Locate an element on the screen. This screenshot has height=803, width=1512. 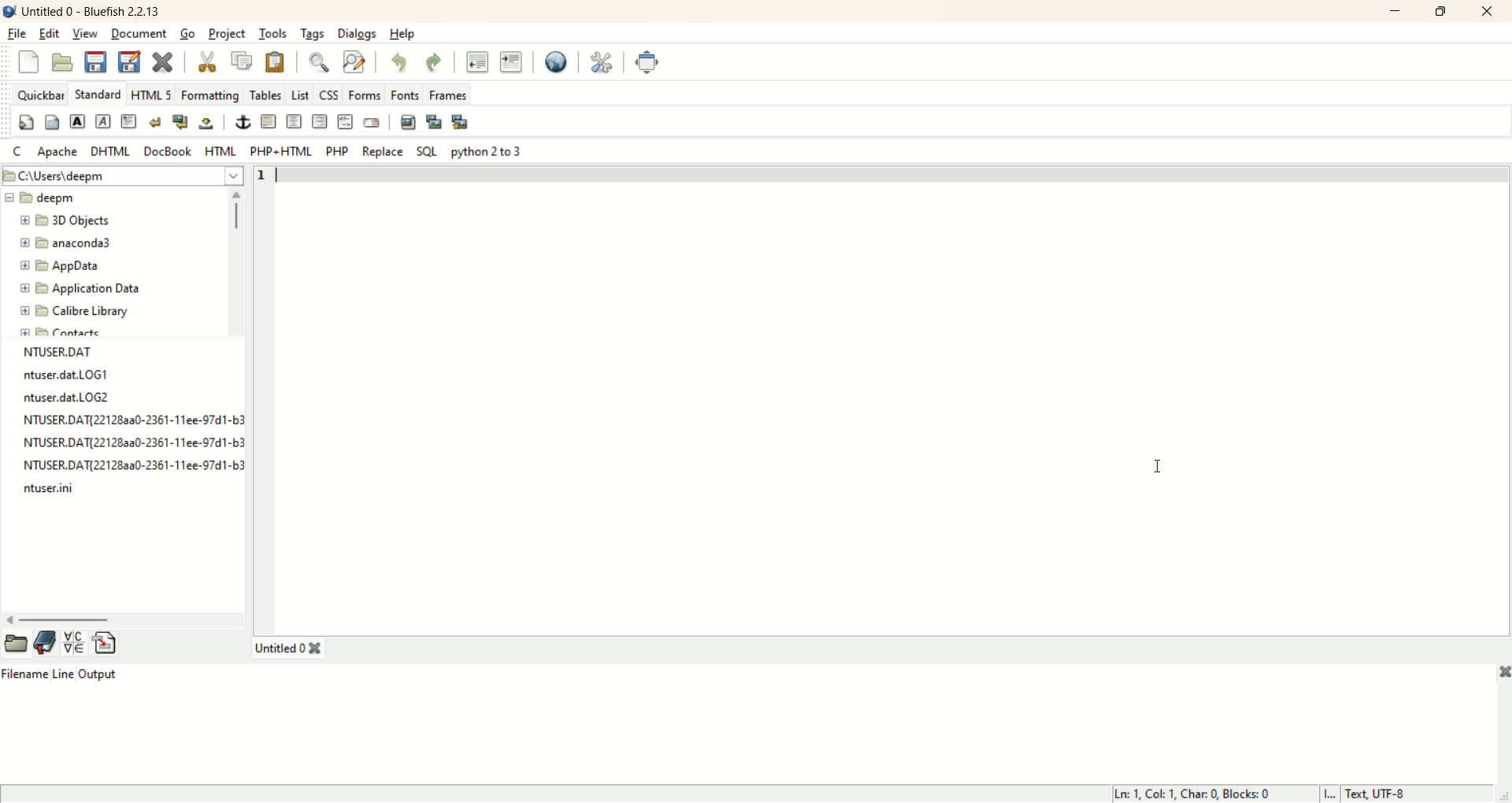
projects is located at coordinates (225, 35).